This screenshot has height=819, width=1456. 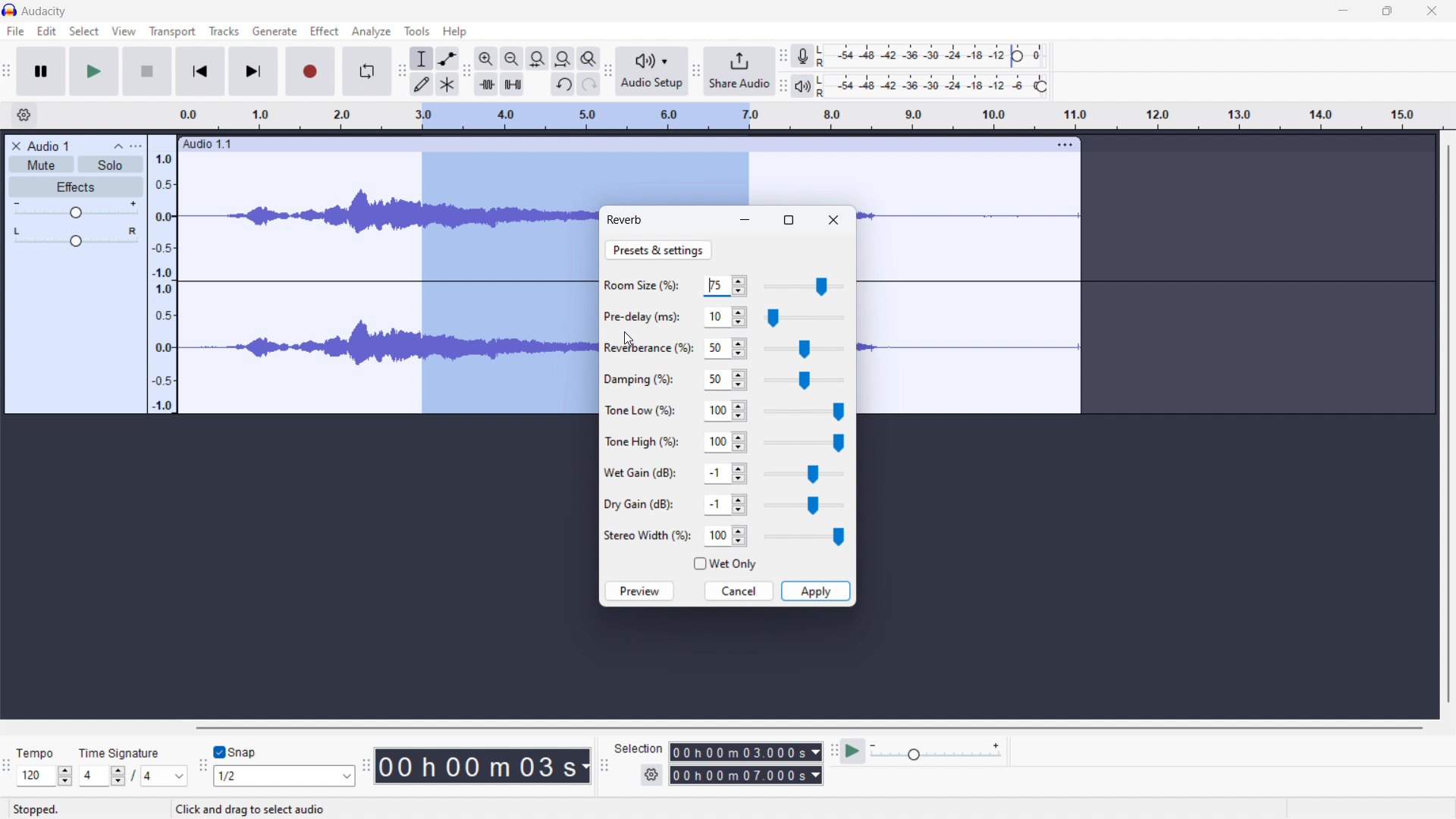 I want to click on skip to start, so click(x=199, y=72).